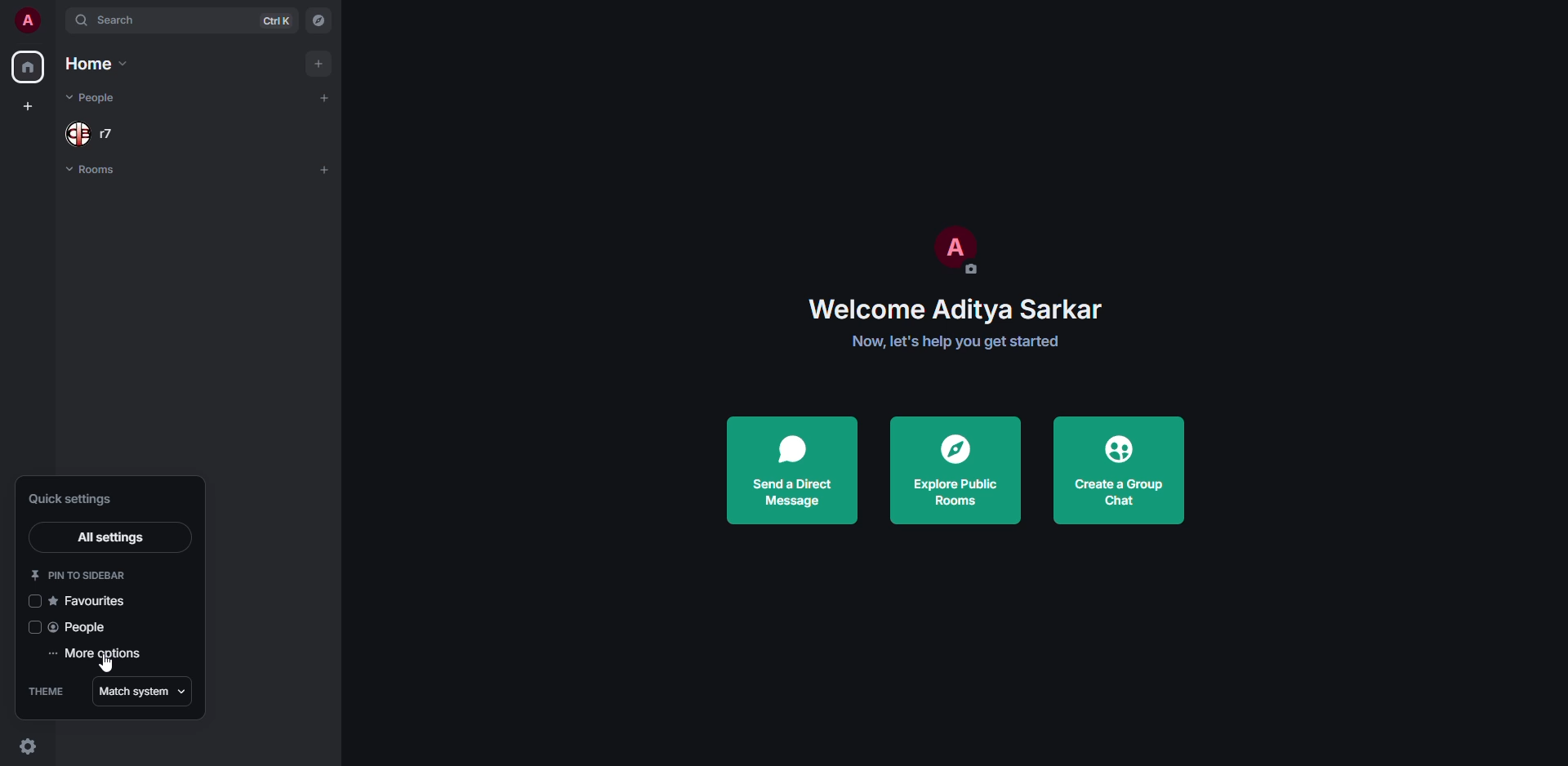  I want to click on add, so click(325, 170).